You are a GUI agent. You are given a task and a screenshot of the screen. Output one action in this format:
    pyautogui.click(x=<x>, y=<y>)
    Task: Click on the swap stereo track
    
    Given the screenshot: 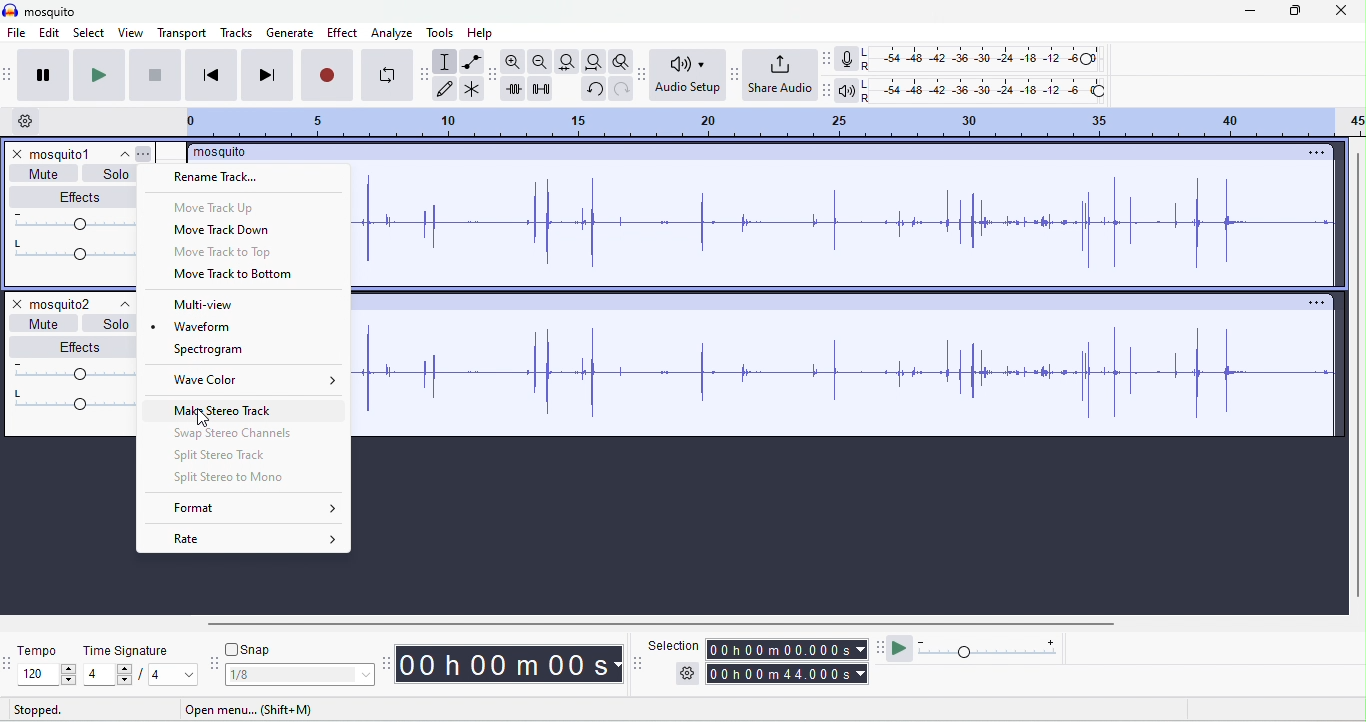 What is the action you would take?
    pyautogui.click(x=238, y=434)
    